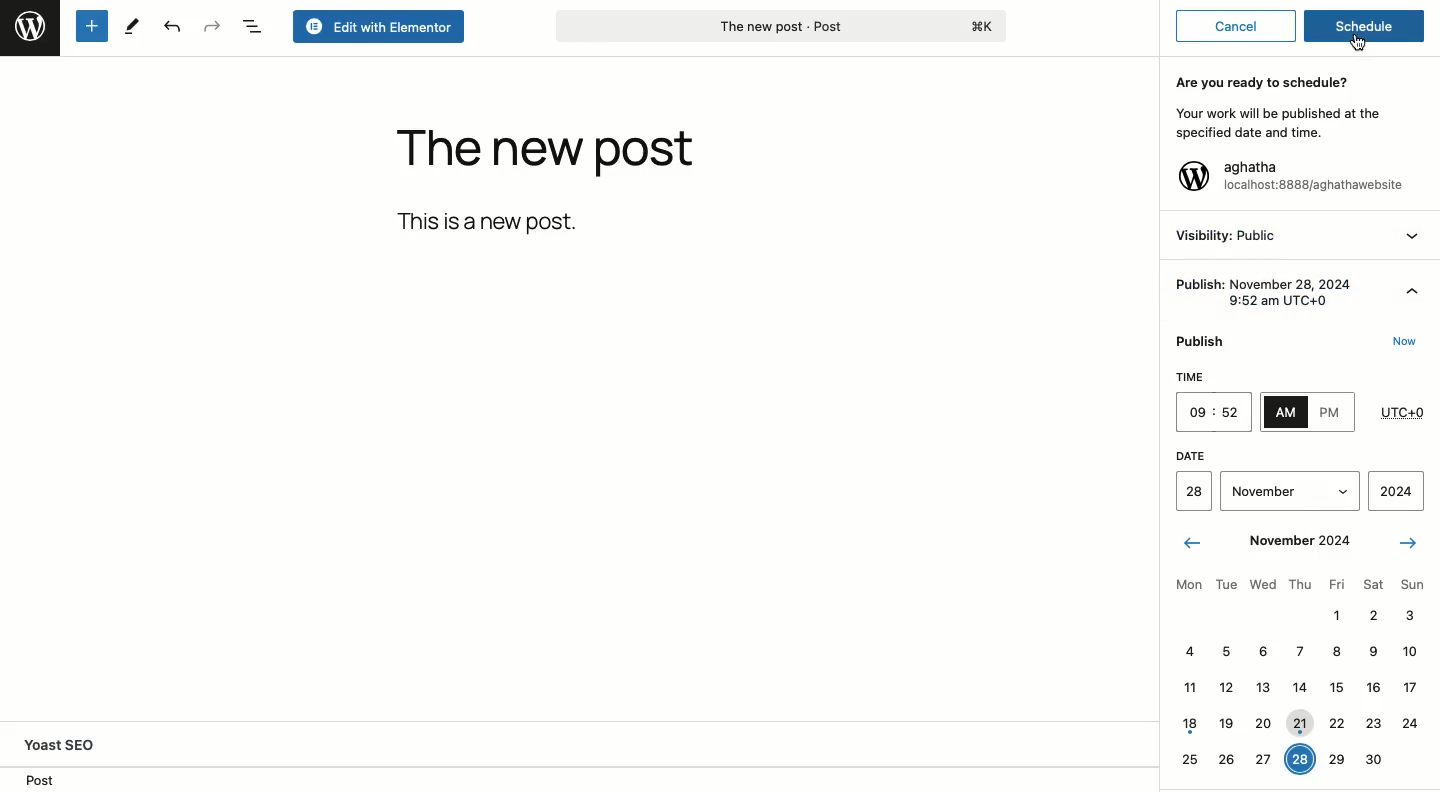  What do you see at coordinates (1295, 454) in the screenshot?
I see `Date` at bounding box center [1295, 454].